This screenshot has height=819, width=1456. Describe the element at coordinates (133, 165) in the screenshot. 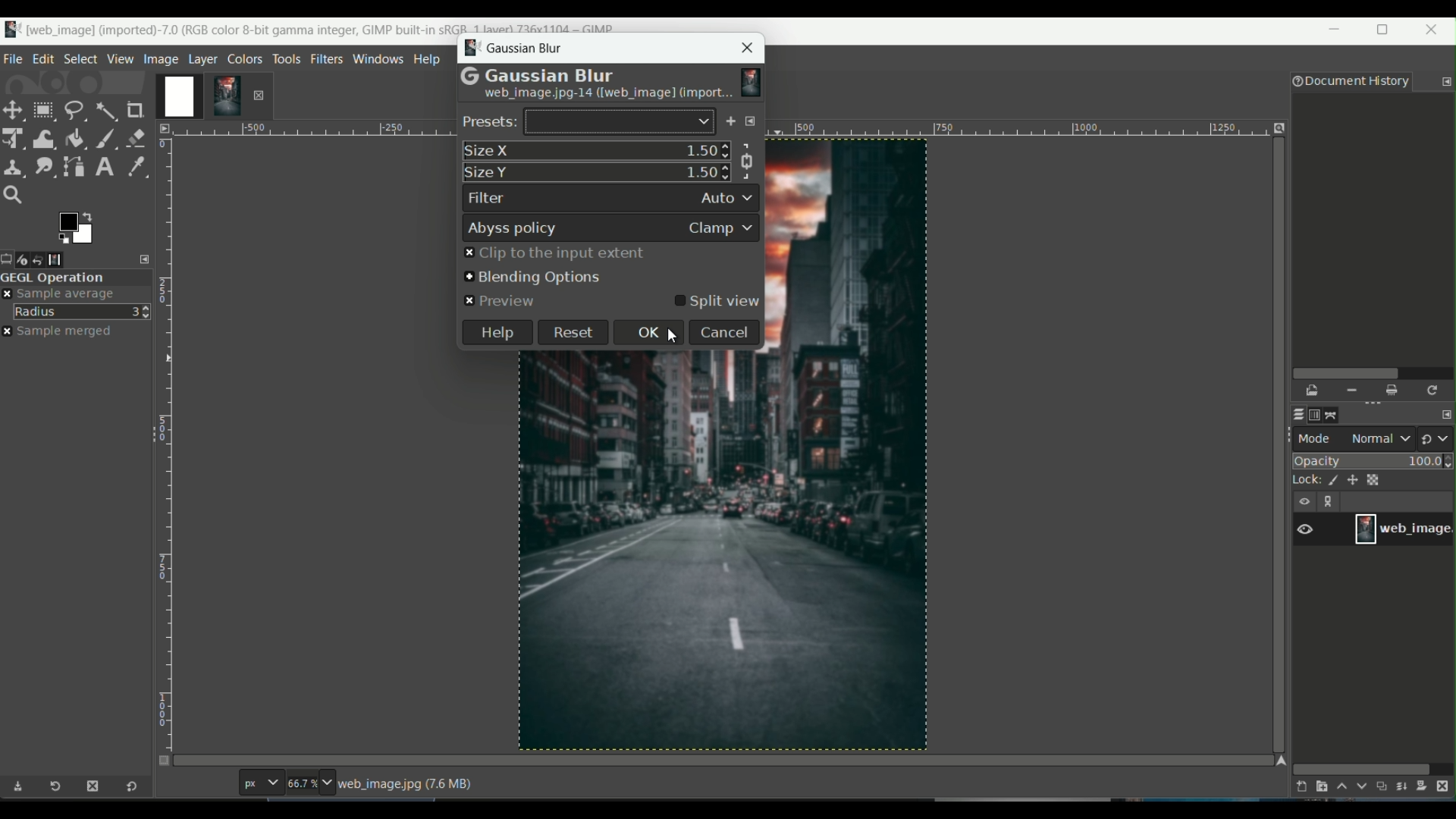

I see `color picker tool` at that location.